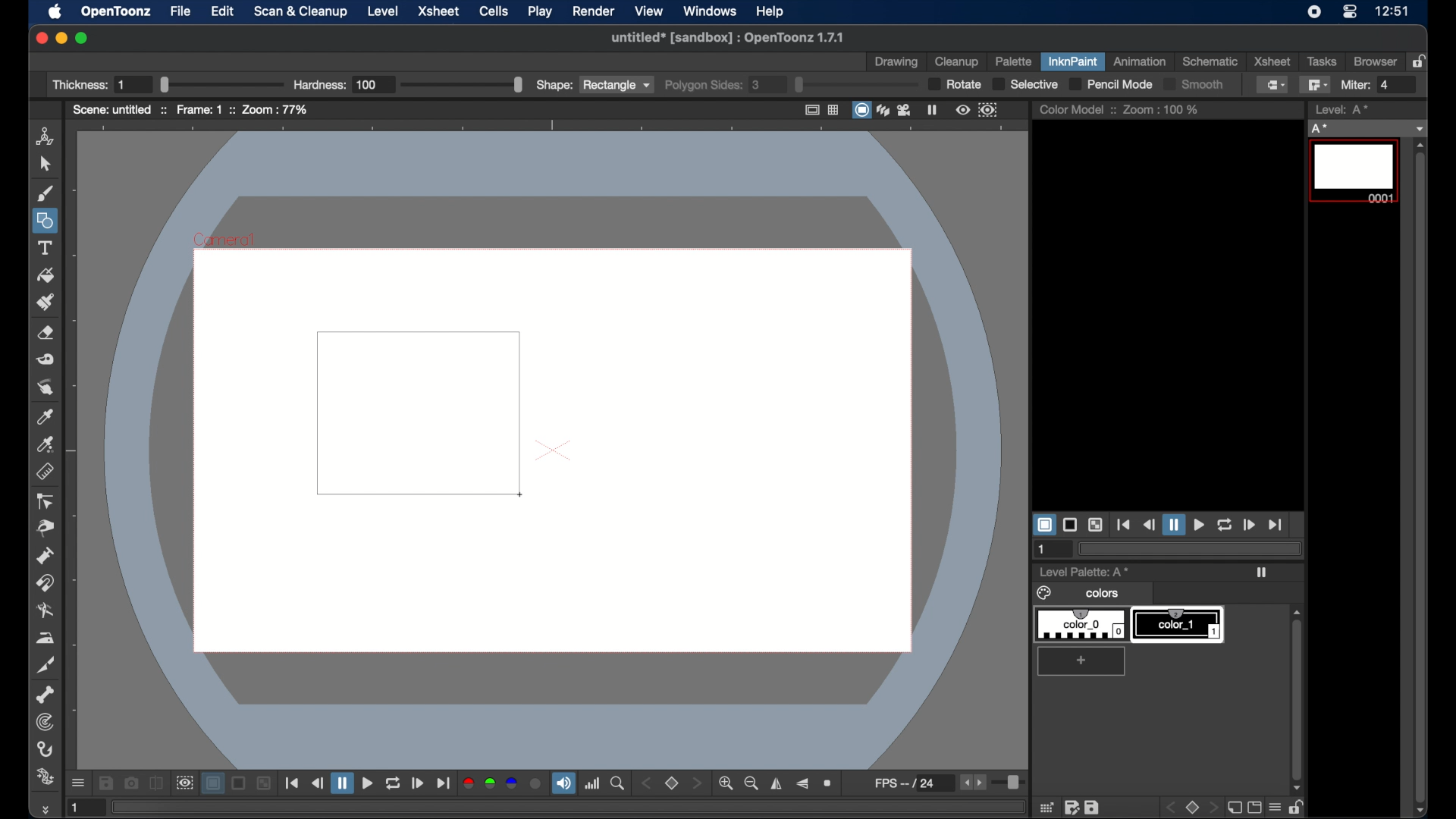 This screenshot has height=819, width=1456. I want to click on animation, so click(1141, 61).